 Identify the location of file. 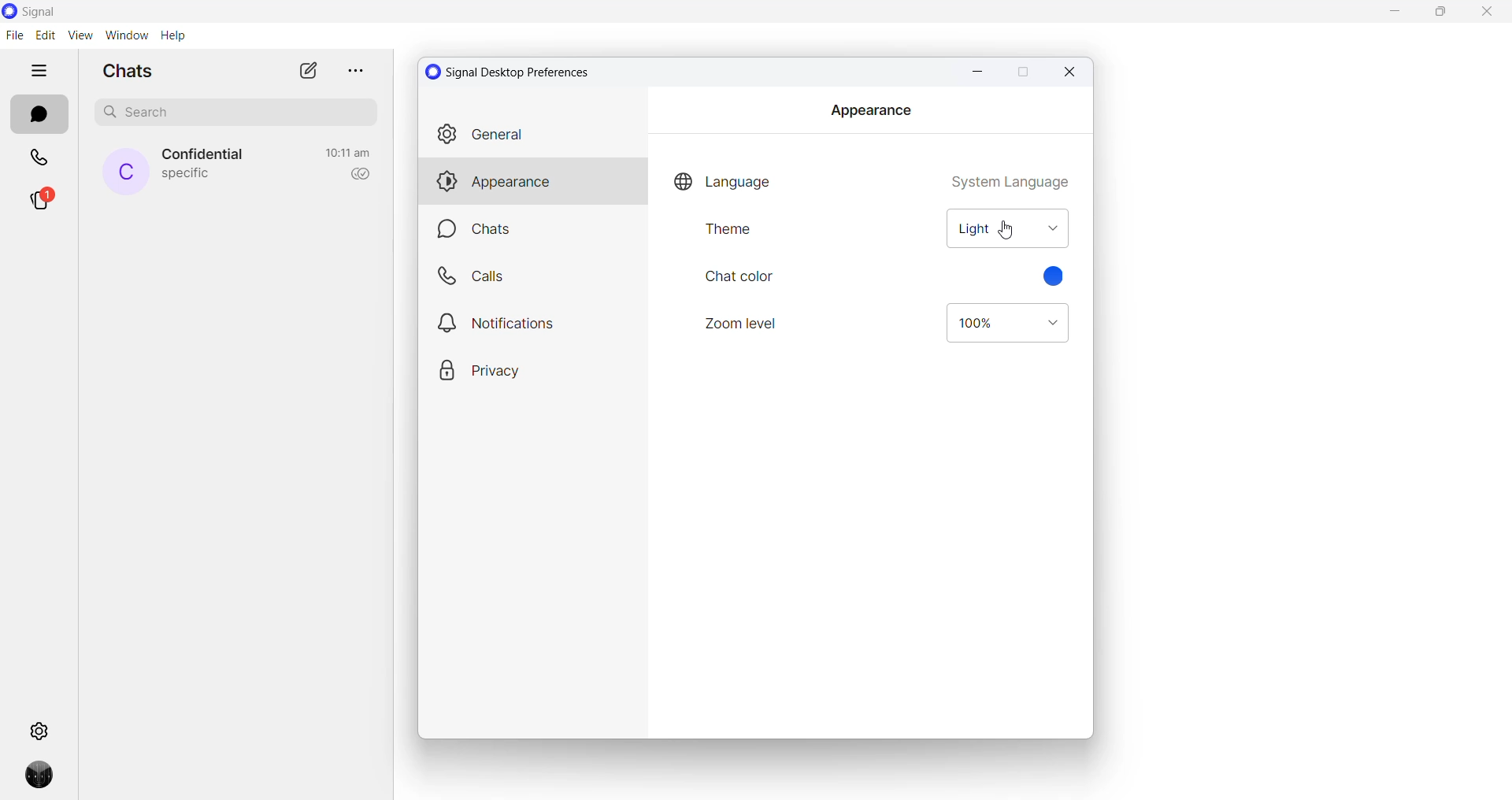
(14, 35).